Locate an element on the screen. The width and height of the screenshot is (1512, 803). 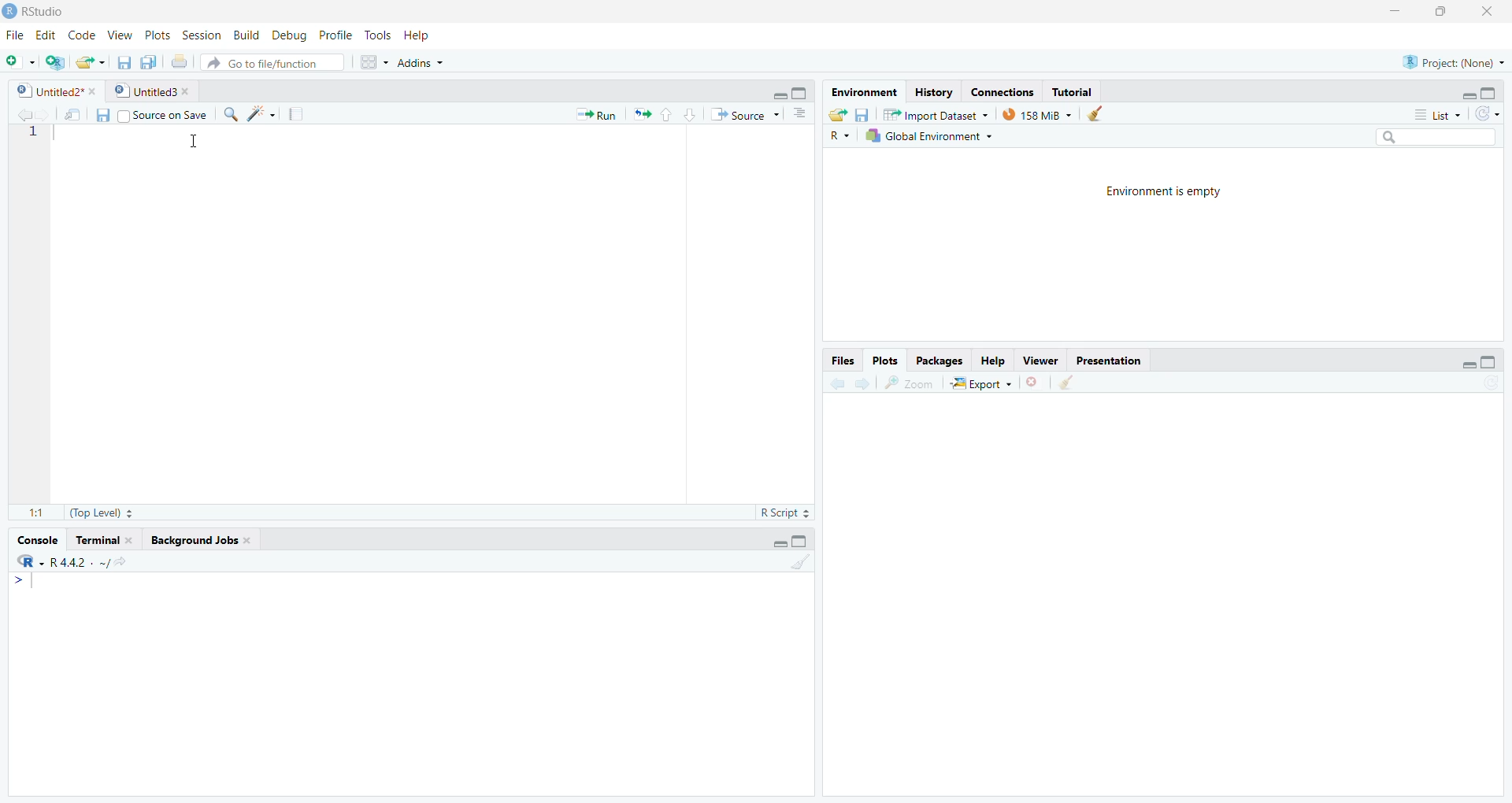
View is located at coordinates (117, 33).